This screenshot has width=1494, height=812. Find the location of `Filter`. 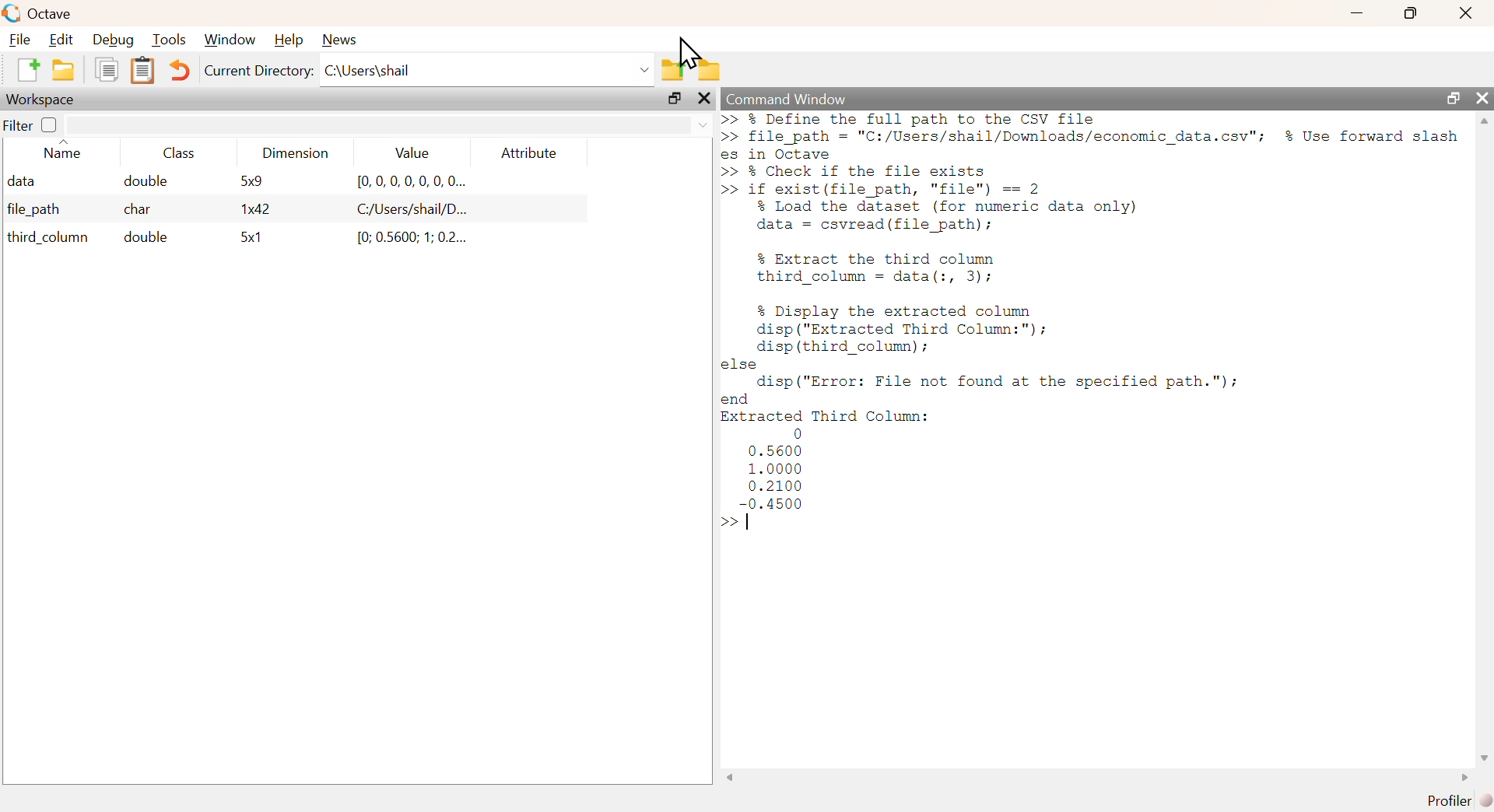

Filter is located at coordinates (21, 128).